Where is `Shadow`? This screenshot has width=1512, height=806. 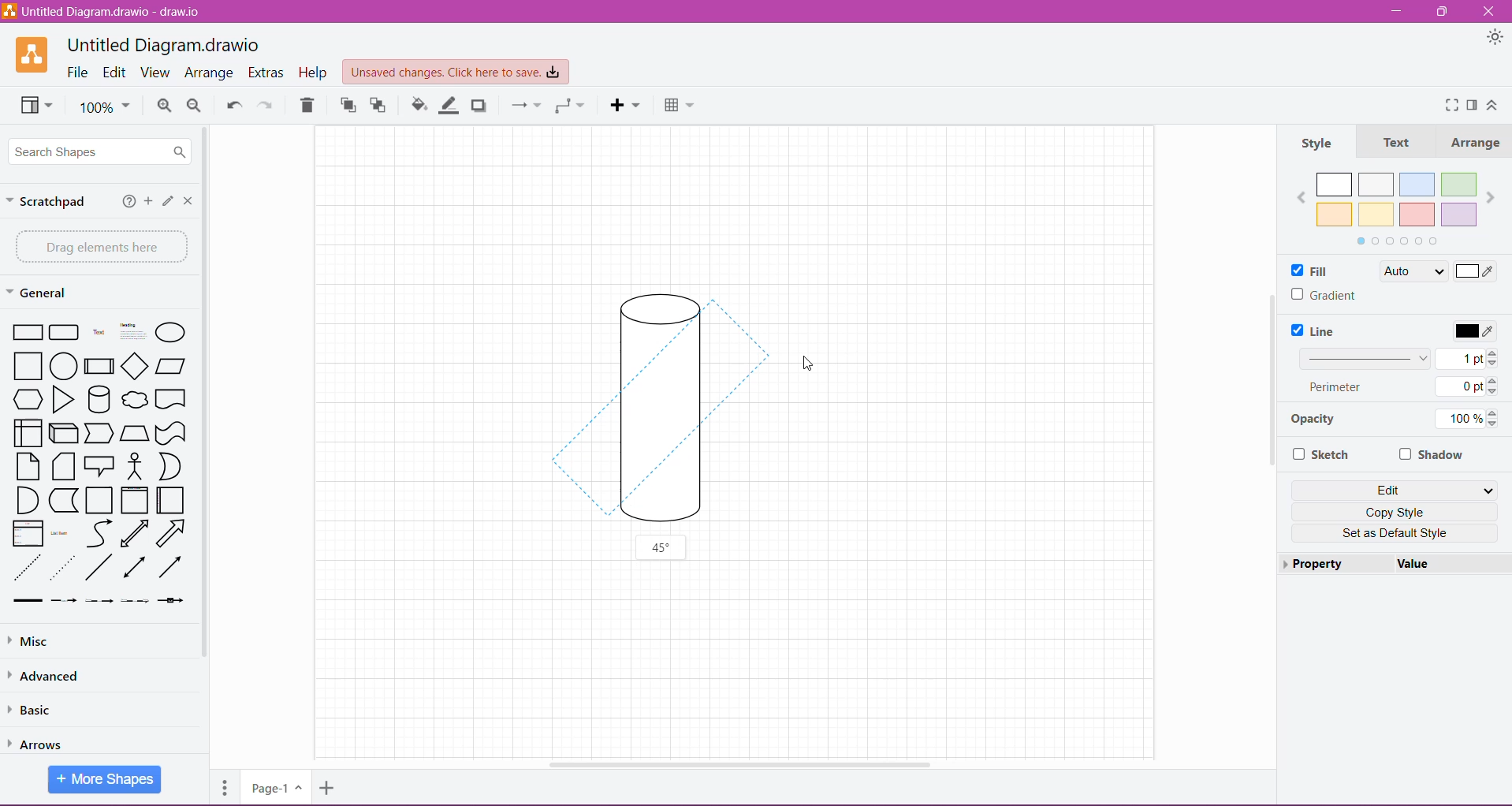
Shadow is located at coordinates (482, 106).